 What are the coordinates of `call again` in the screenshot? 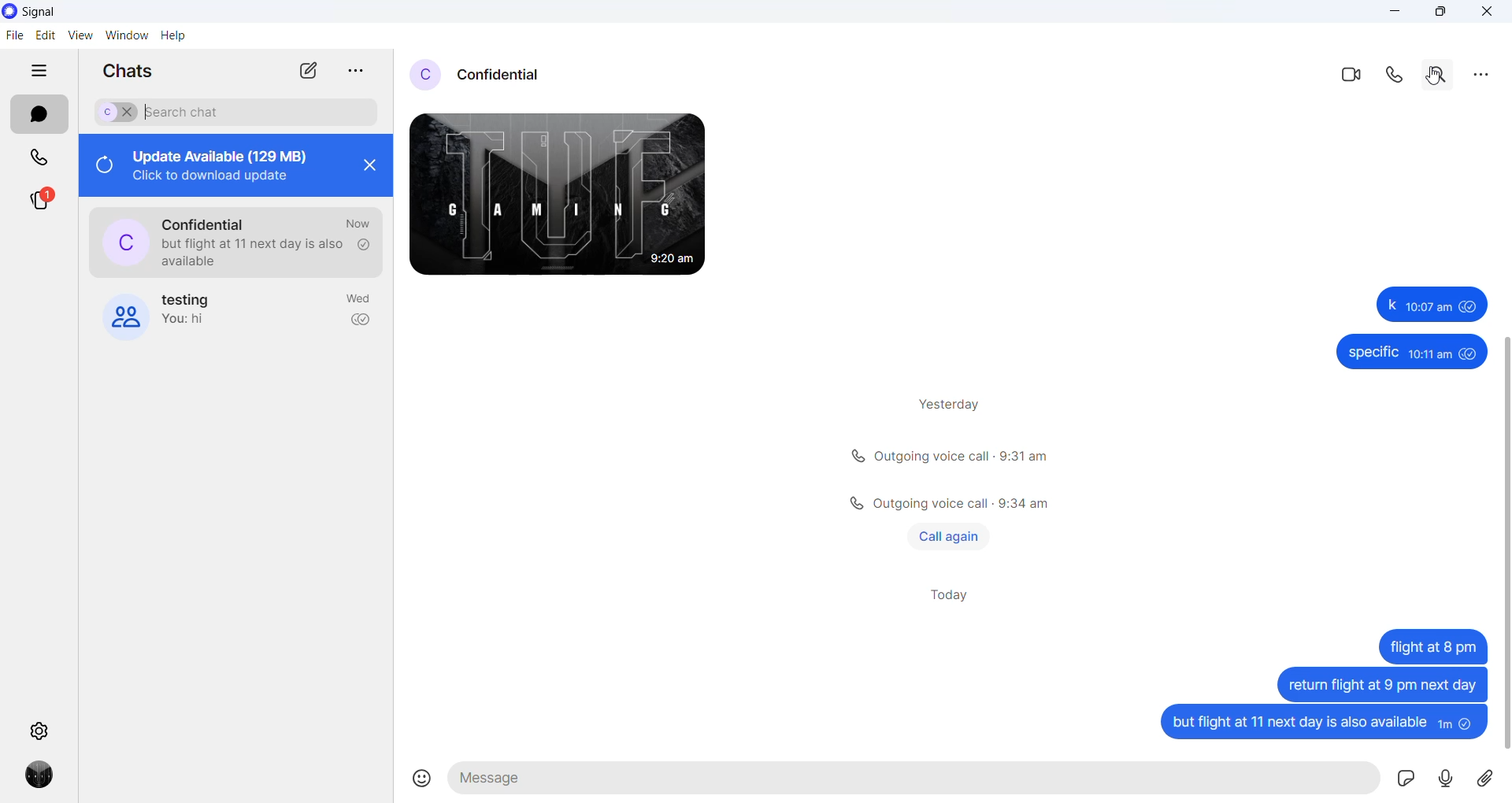 It's located at (949, 535).